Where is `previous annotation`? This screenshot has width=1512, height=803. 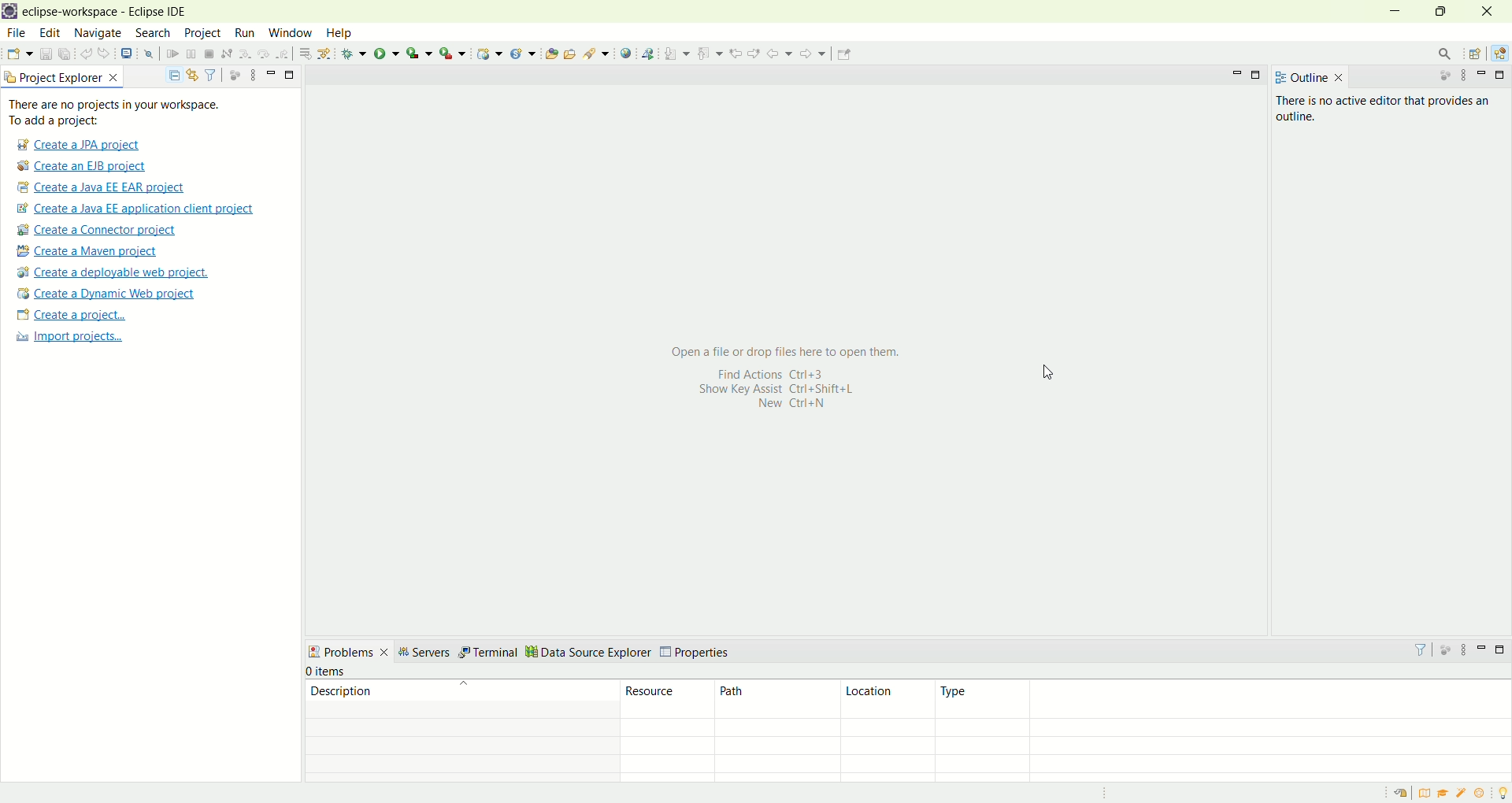
previous annotation is located at coordinates (706, 54).